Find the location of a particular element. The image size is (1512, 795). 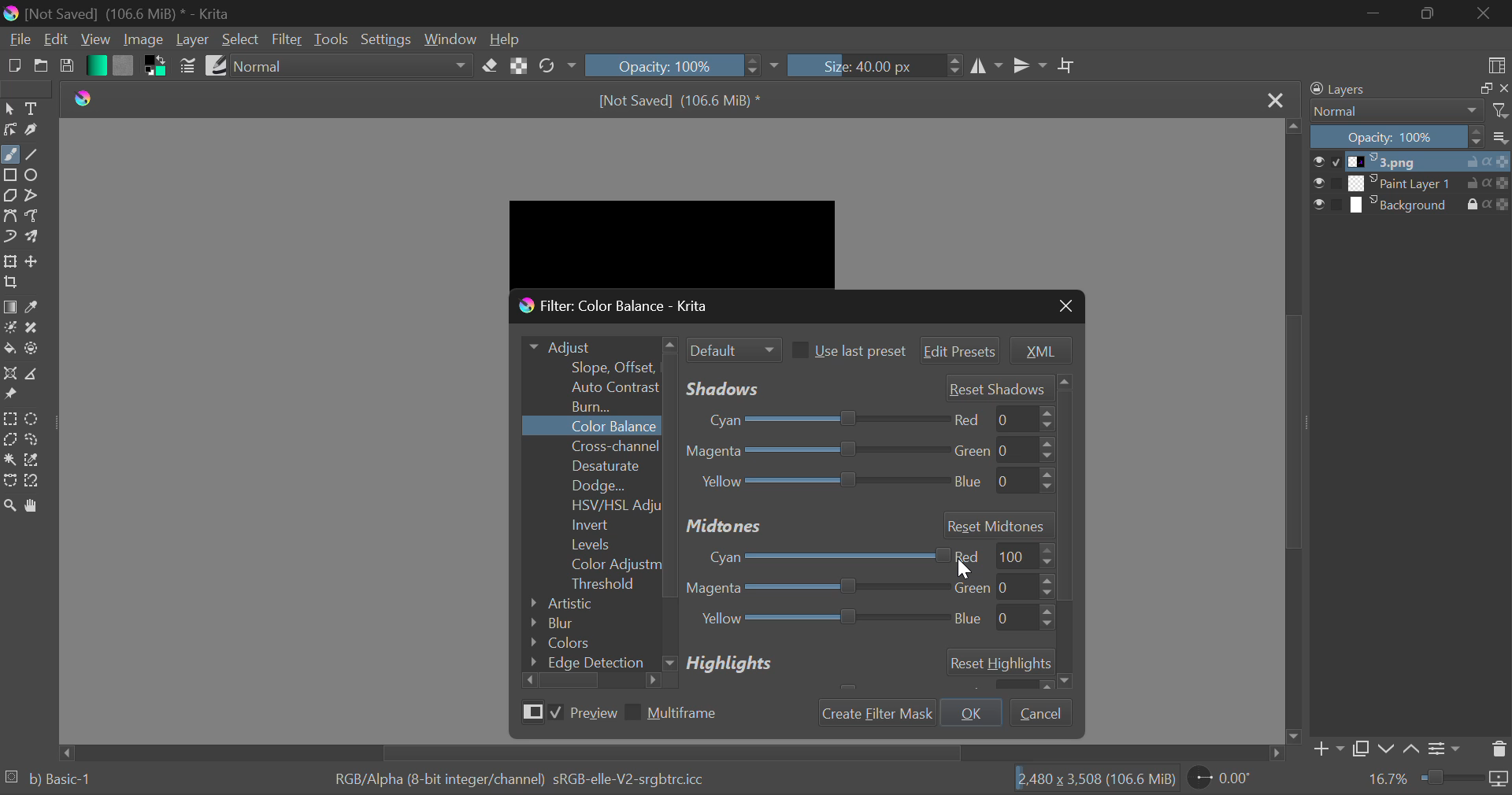

blue is located at coordinates (1002, 620).